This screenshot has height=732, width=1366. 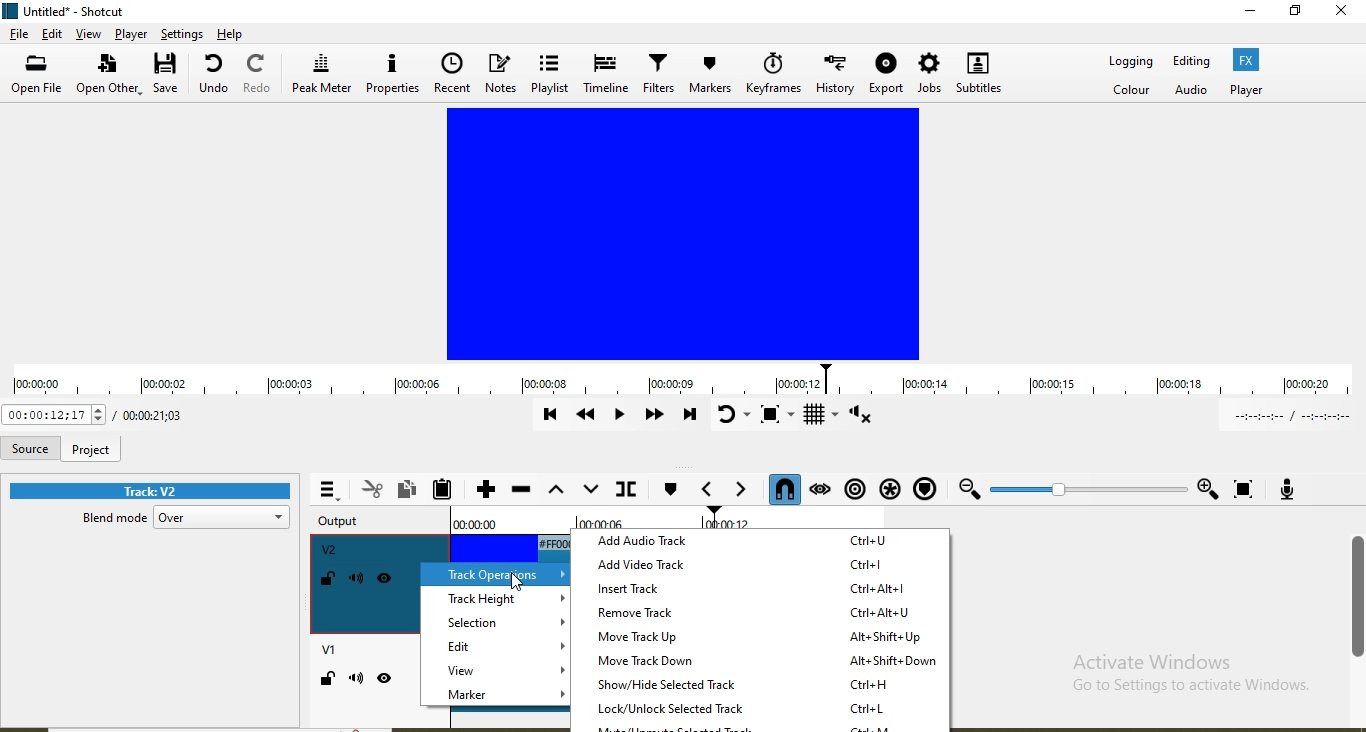 I want to click on create/edit marker, so click(x=673, y=490).